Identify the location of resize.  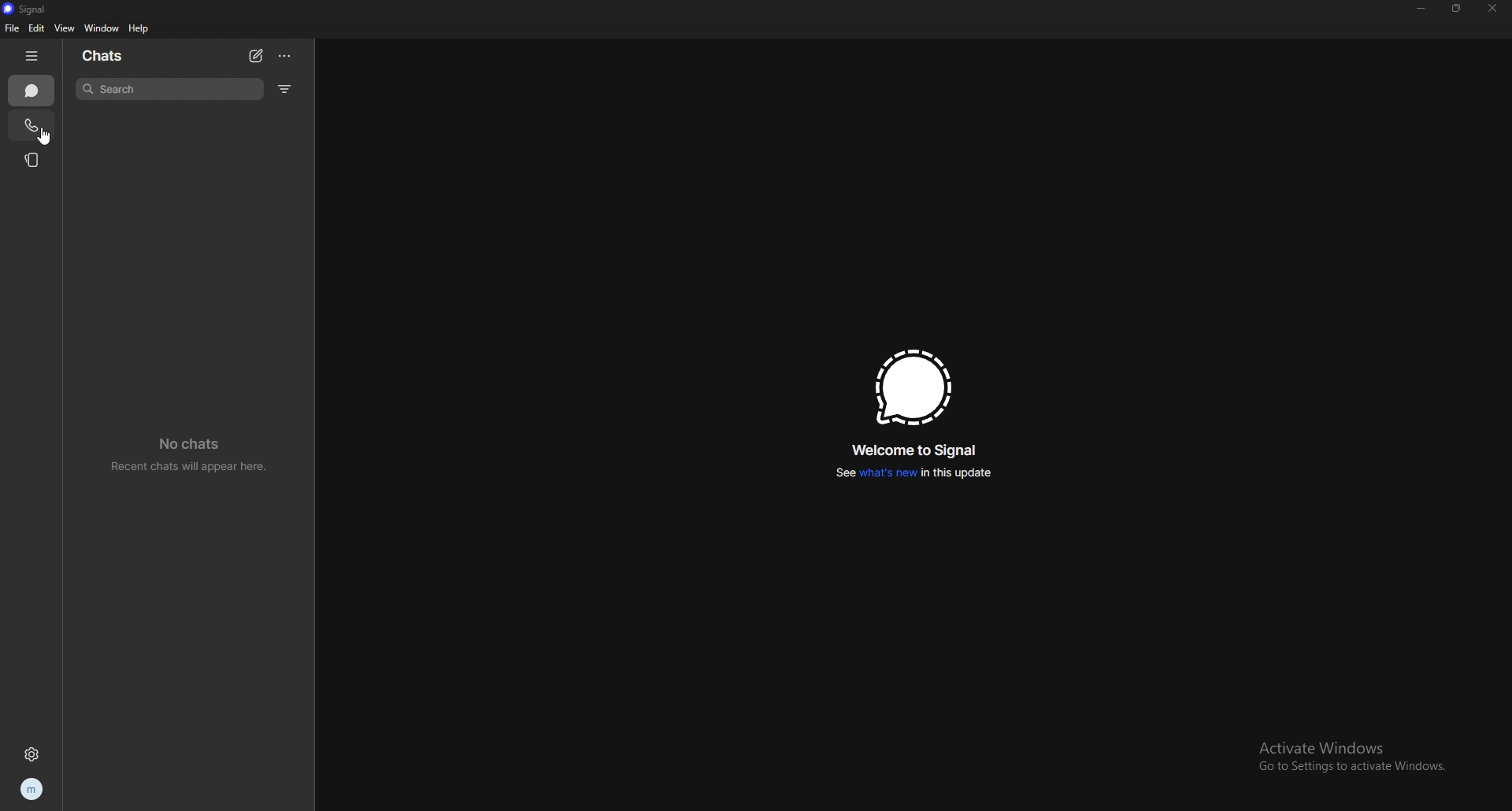
(1458, 8).